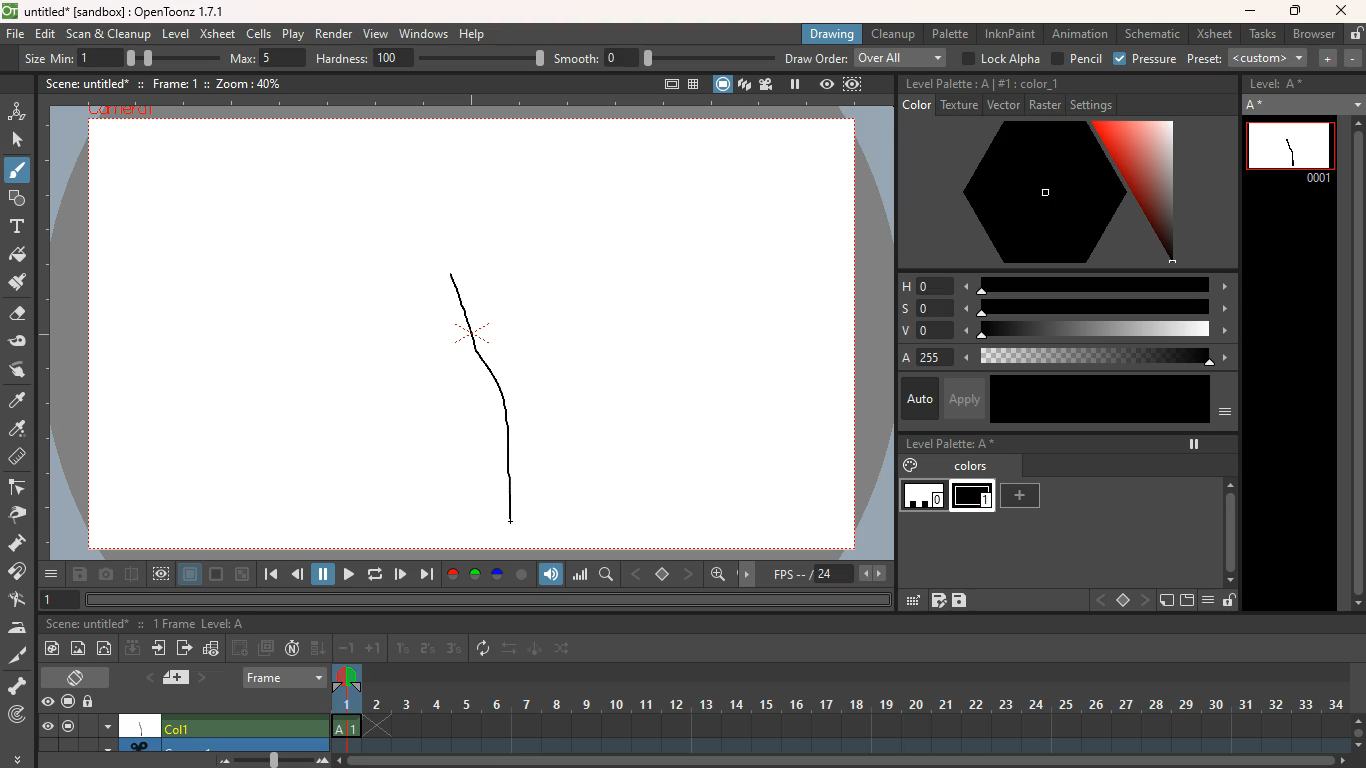  What do you see at coordinates (581, 575) in the screenshot?
I see `scale` at bounding box center [581, 575].